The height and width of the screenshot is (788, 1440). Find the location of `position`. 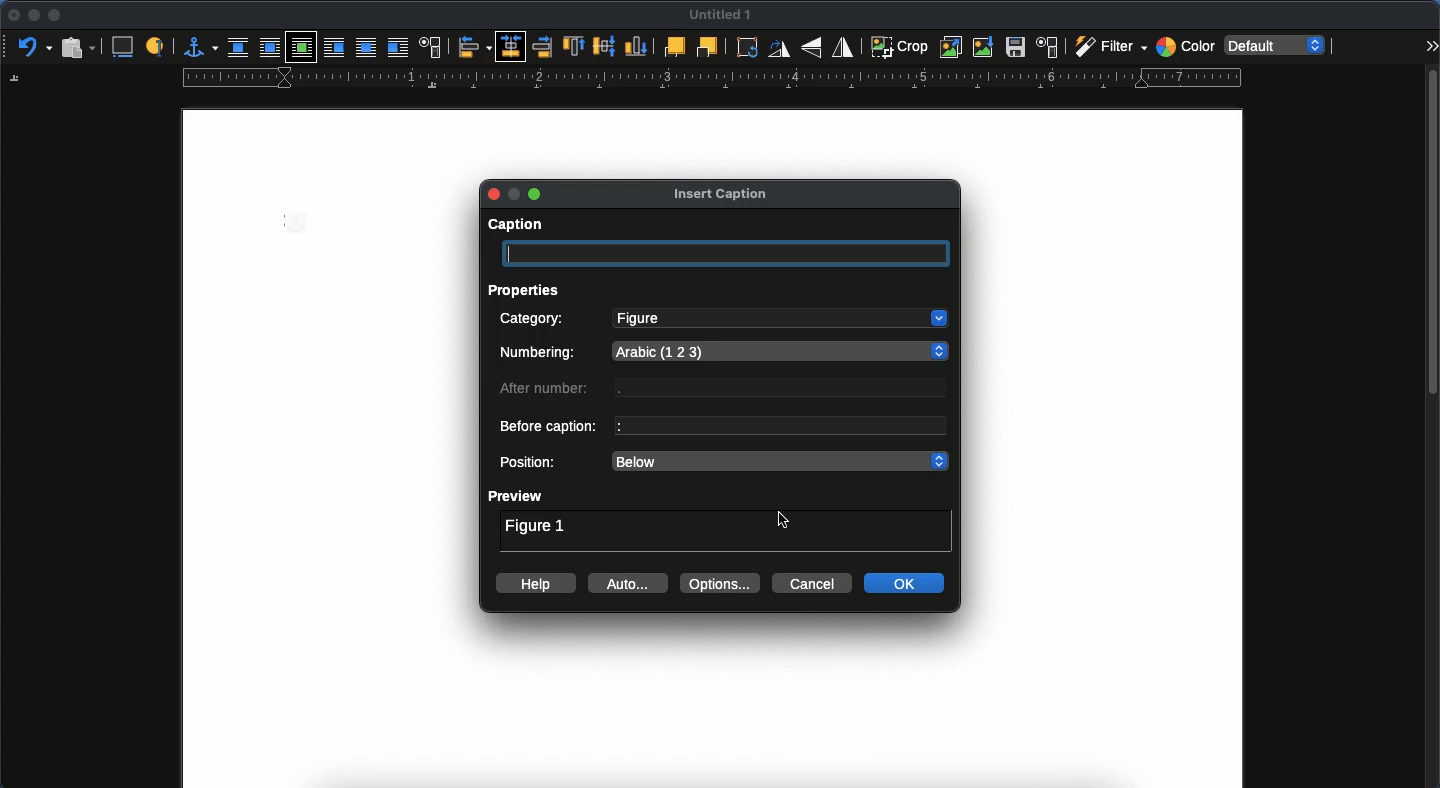

position is located at coordinates (531, 463).